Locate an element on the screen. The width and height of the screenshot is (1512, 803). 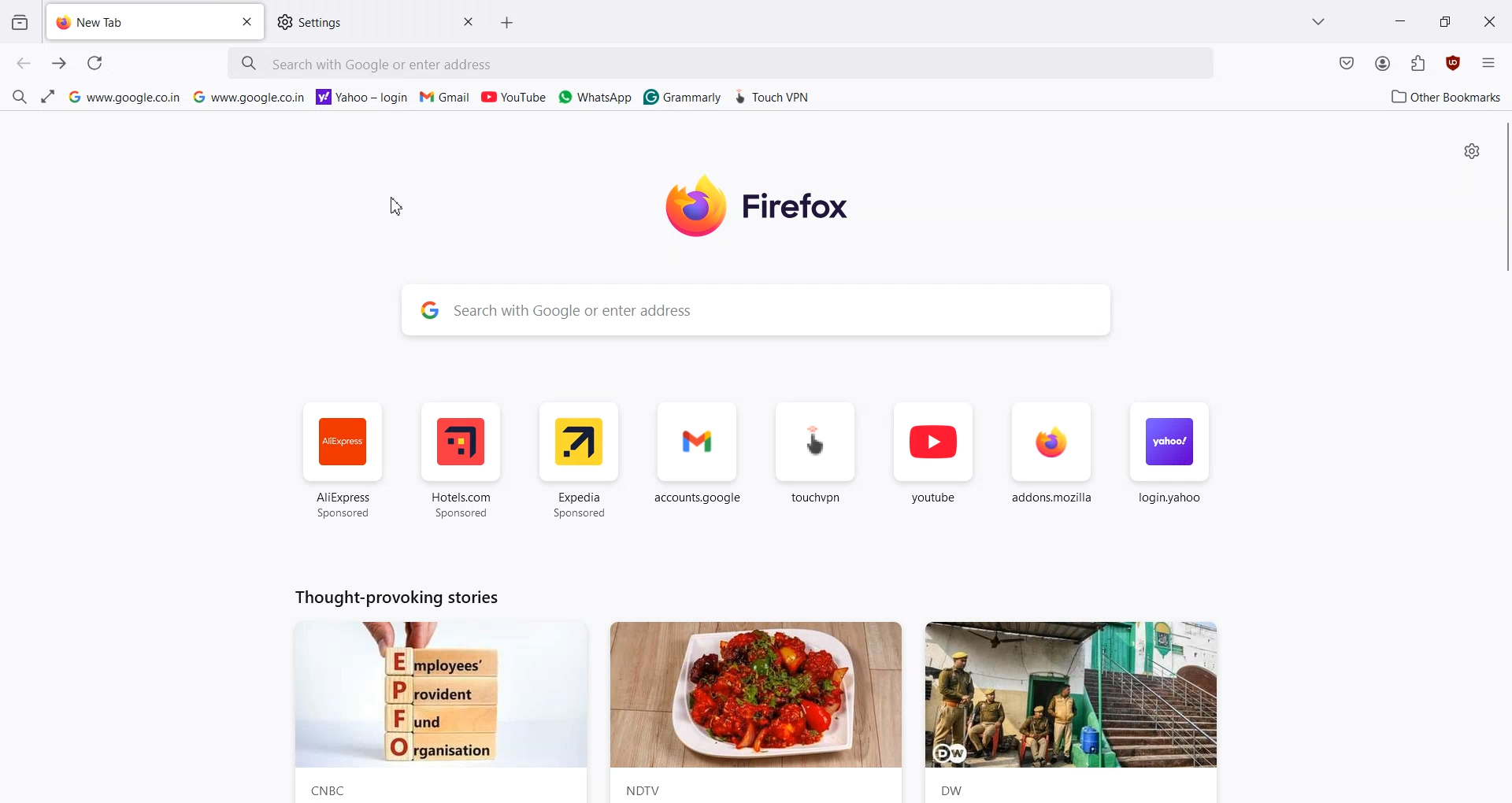
Touch VPN Bookmark is located at coordinates (774, 94).